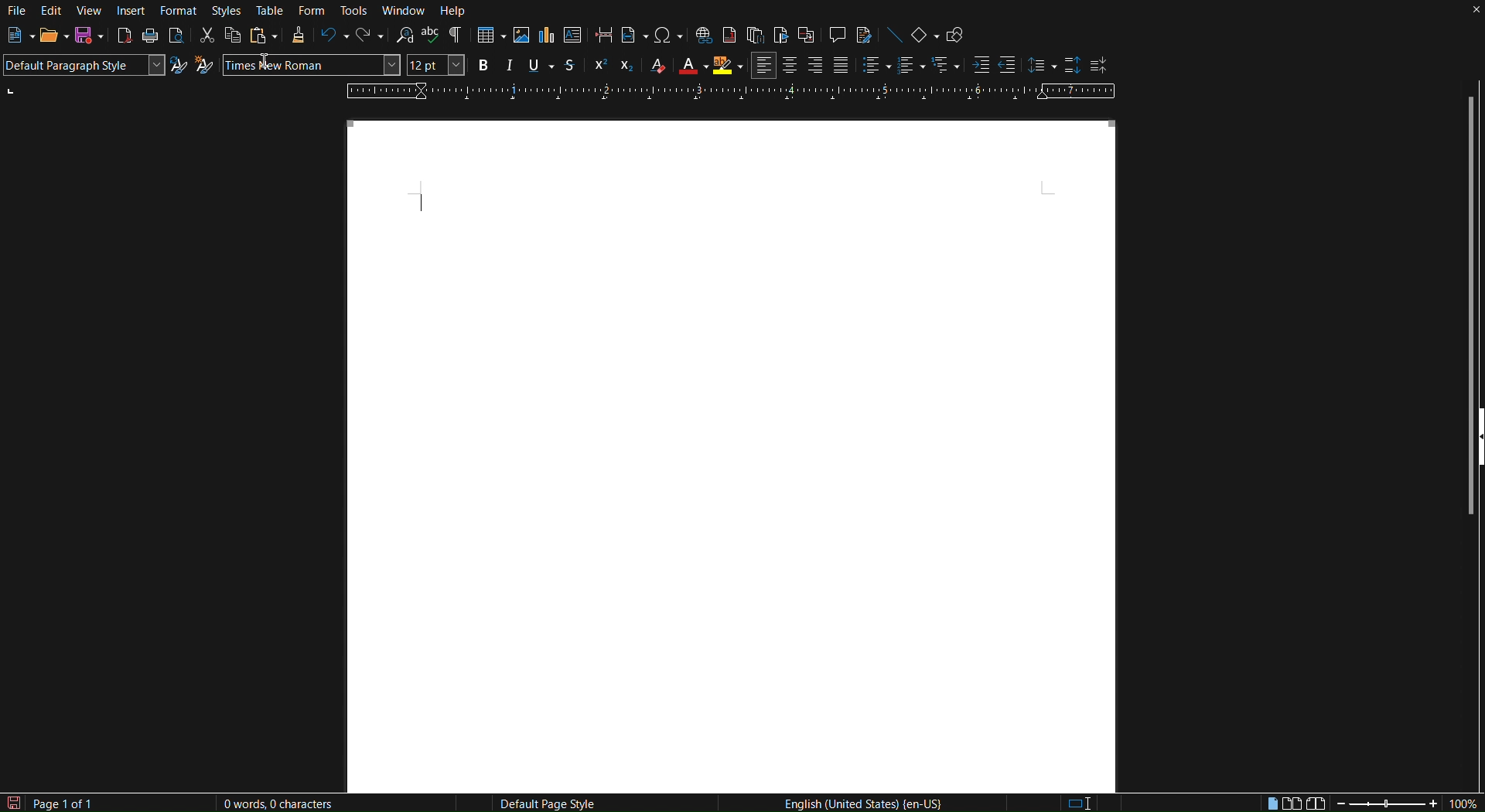  What do you see at coordinates (703, 37) in the screenshot?
I see `Insert Hyperlink` at bounding box center [703, 37].